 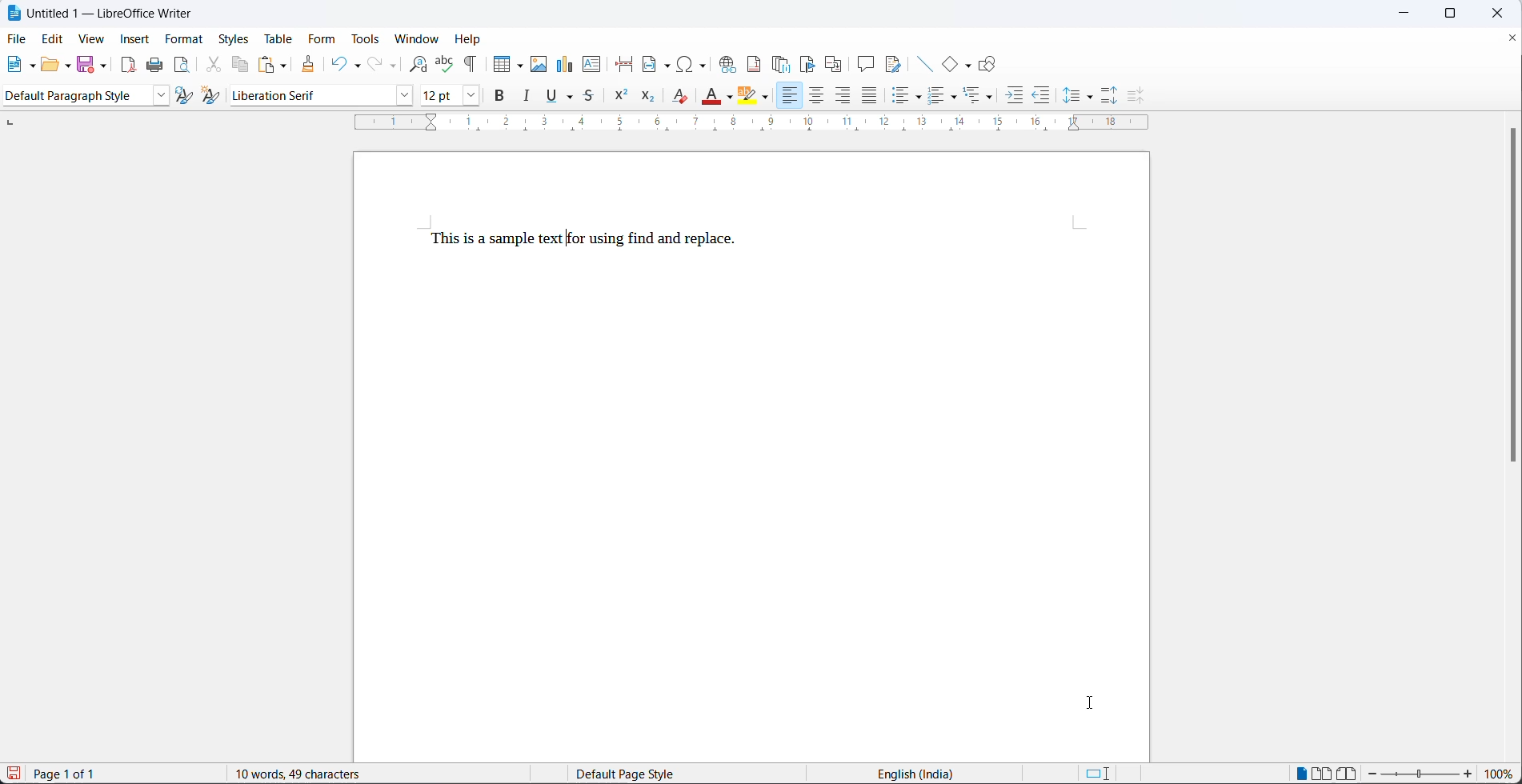 What do you see at coordinates (1015, 98) in the screenshot?
I see `increase indent` at bounding box center [1015, 98].